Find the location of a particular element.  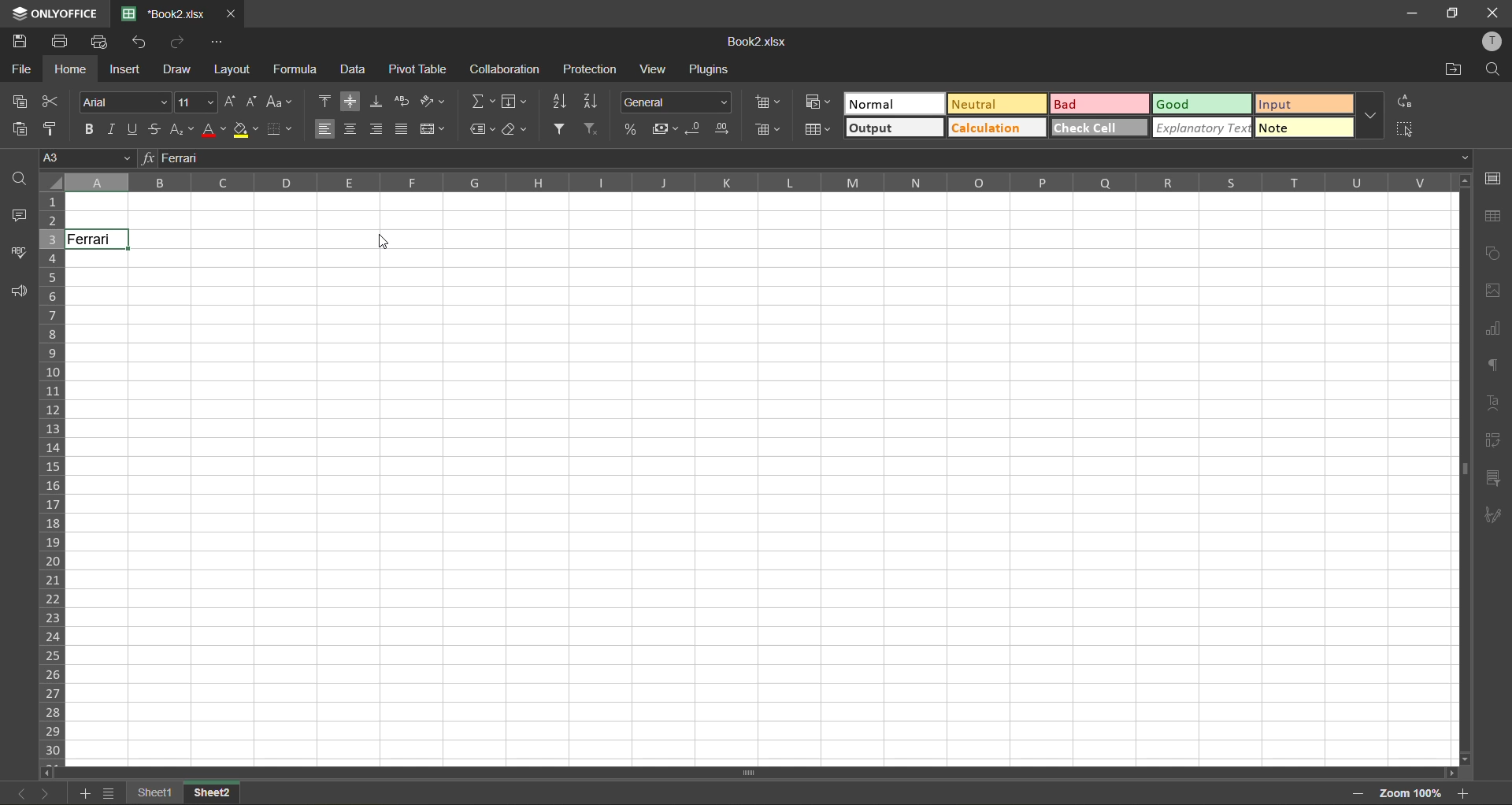

next is located at coordinates (43, 793).